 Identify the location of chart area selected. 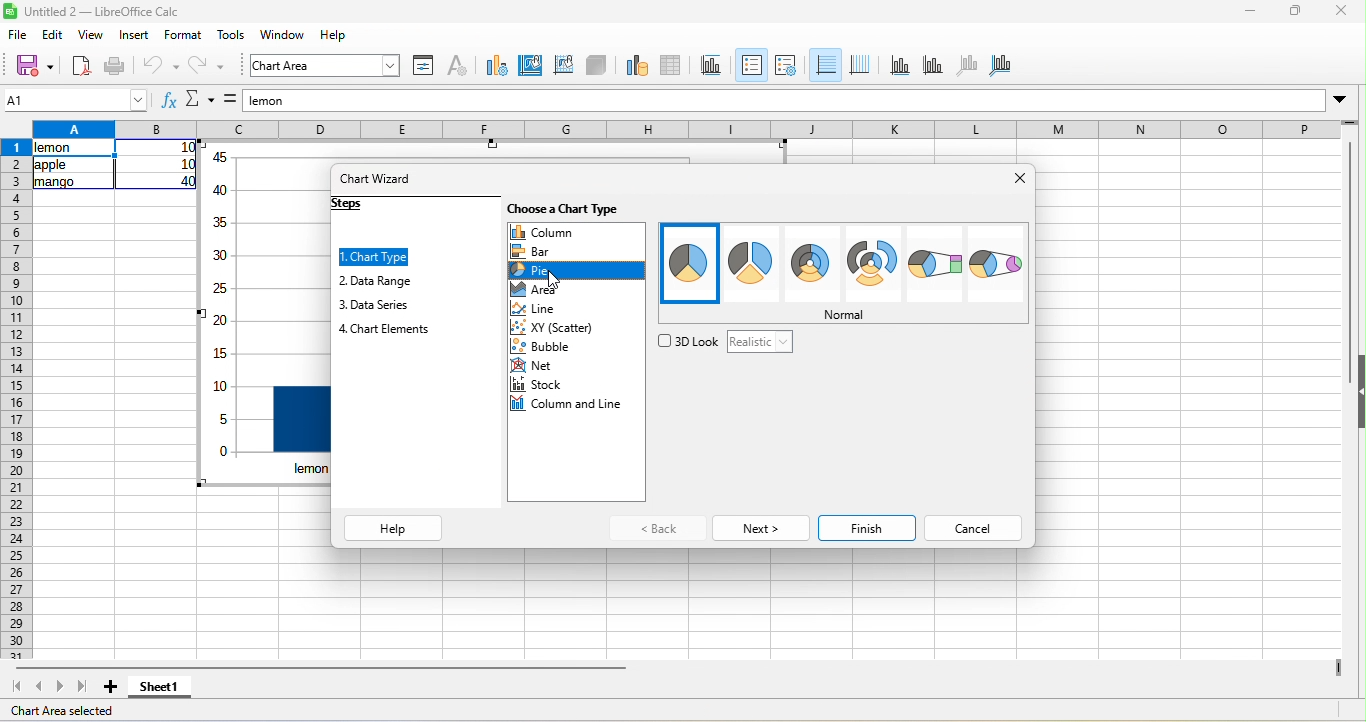
(66, 712).